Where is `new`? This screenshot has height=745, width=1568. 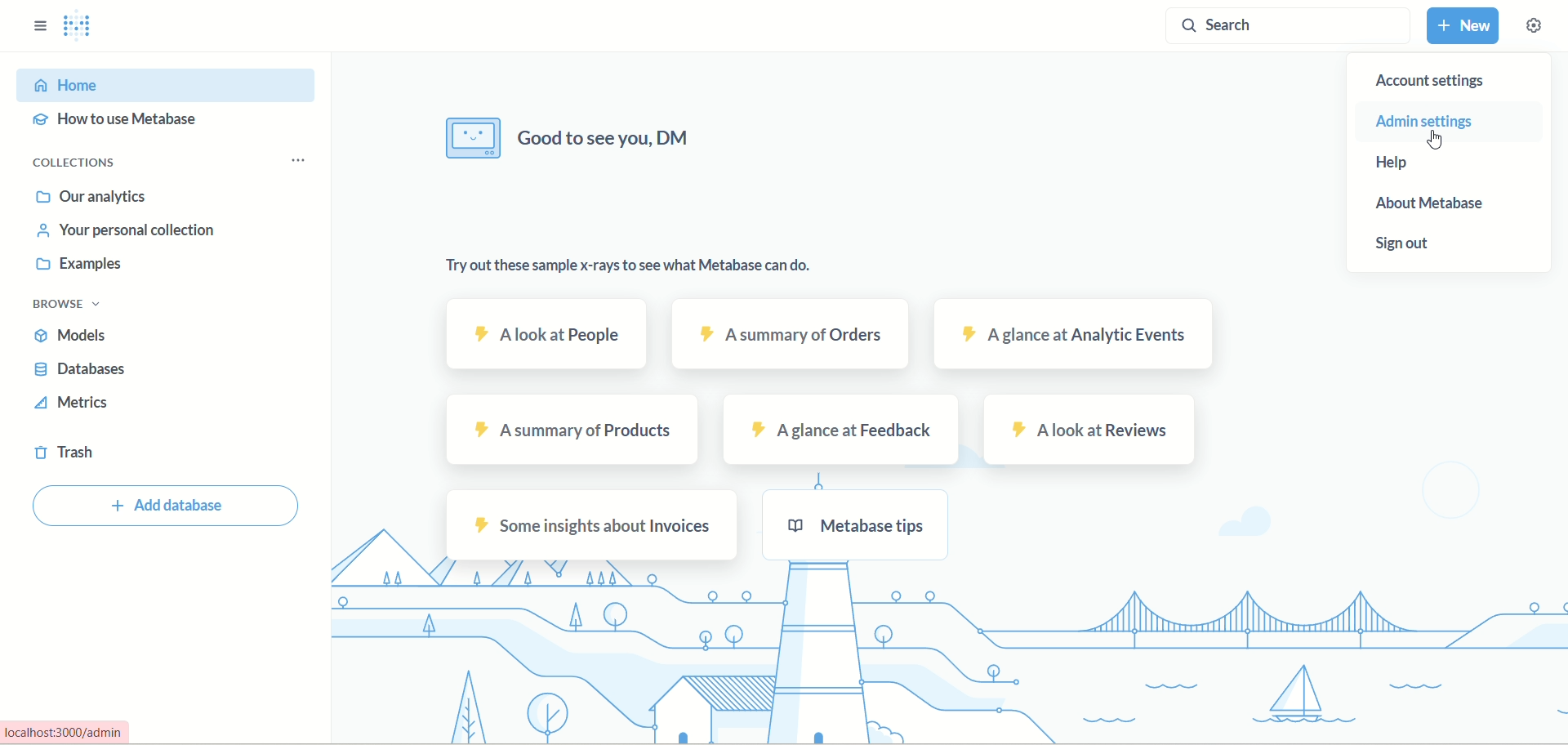 new is located at coordinates (1466, 25).